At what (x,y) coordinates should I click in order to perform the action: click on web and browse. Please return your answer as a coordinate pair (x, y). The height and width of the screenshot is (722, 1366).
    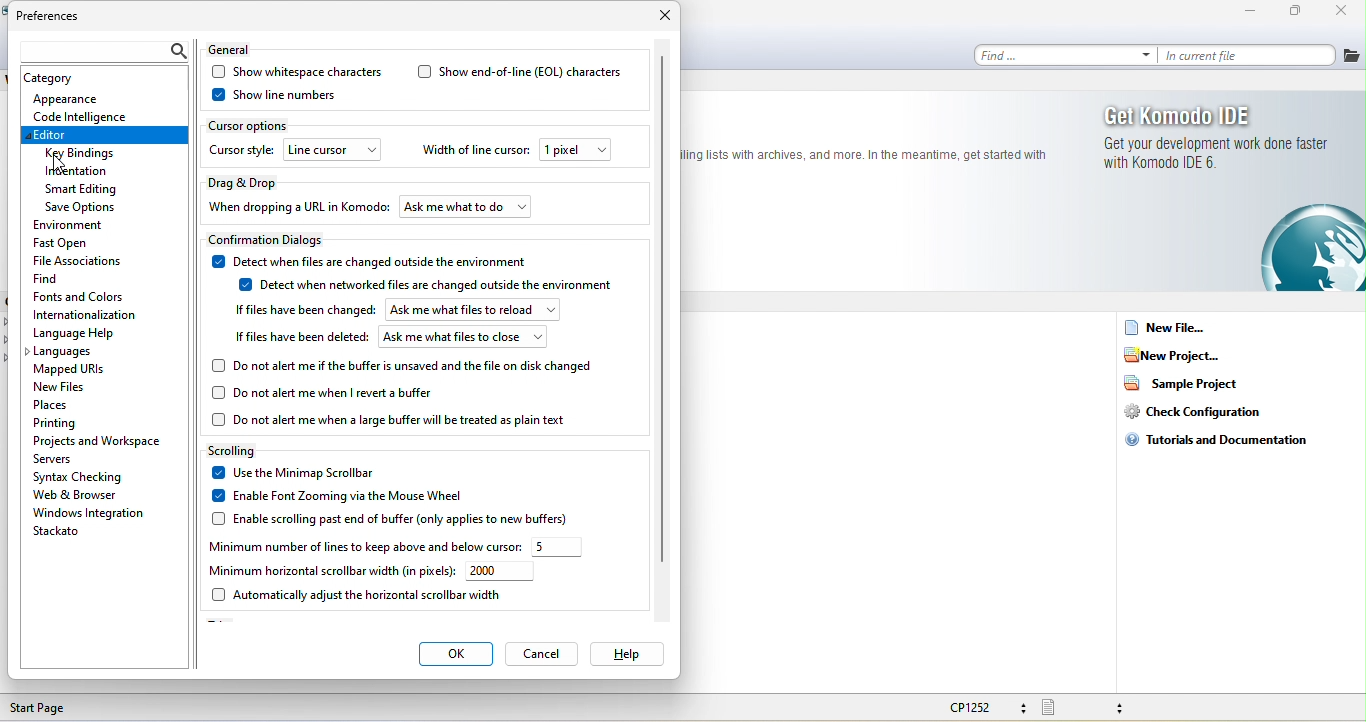
    Looking at the image, I should click on (94, 495).